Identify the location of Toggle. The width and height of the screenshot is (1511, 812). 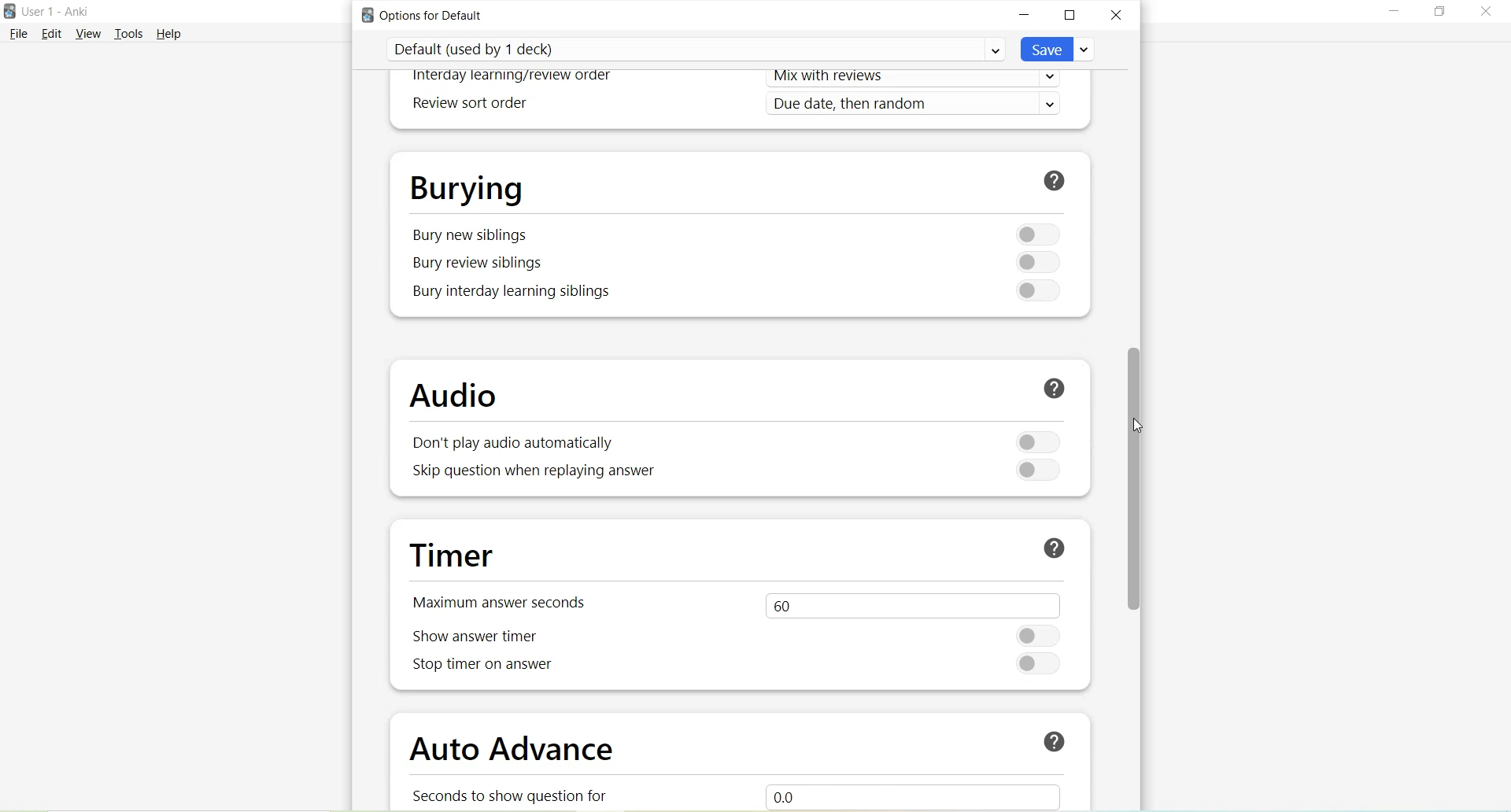
(1038, 441).